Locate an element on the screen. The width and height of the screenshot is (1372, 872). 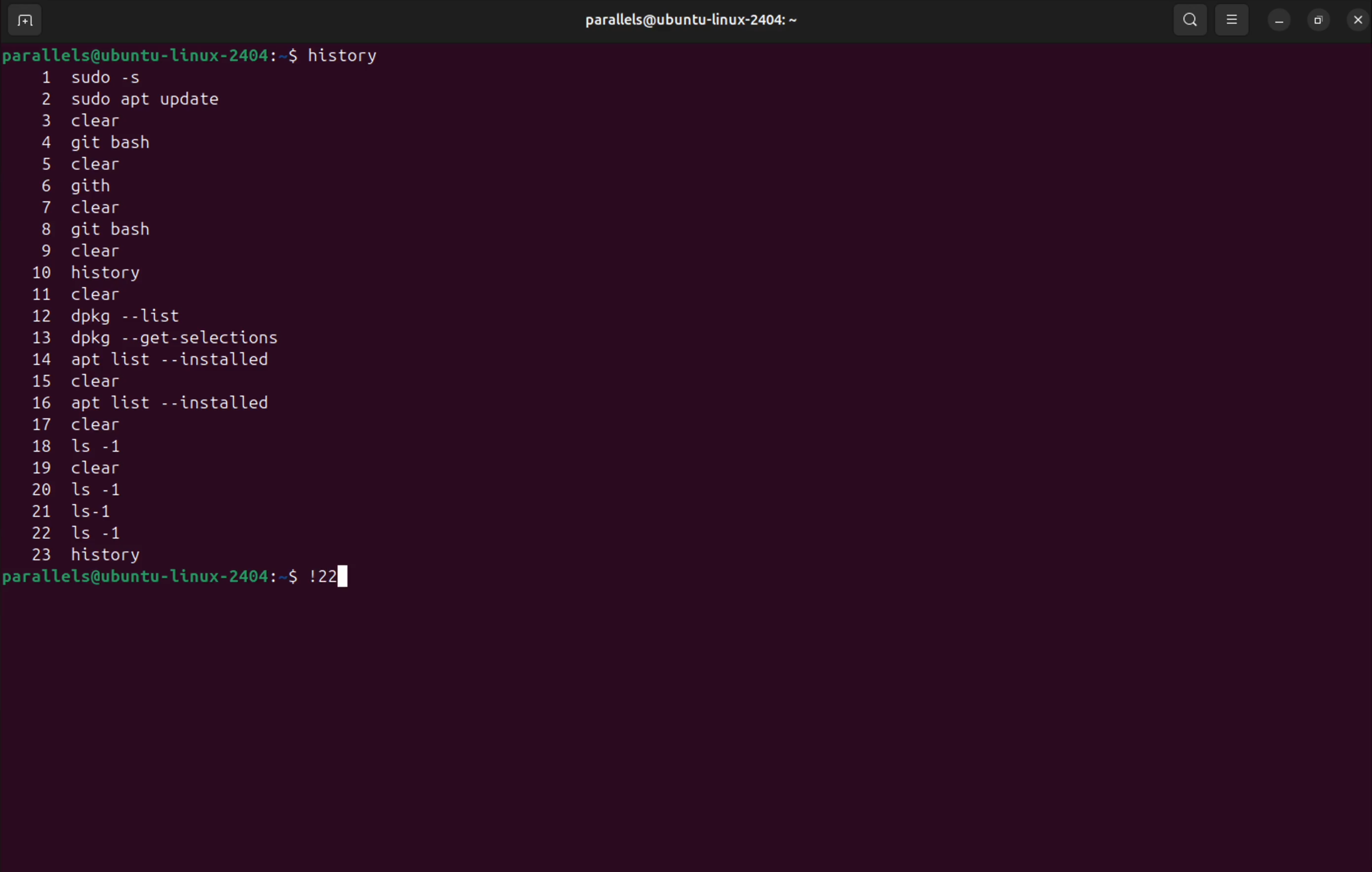
15 clear is located at coordinates (86, 381).